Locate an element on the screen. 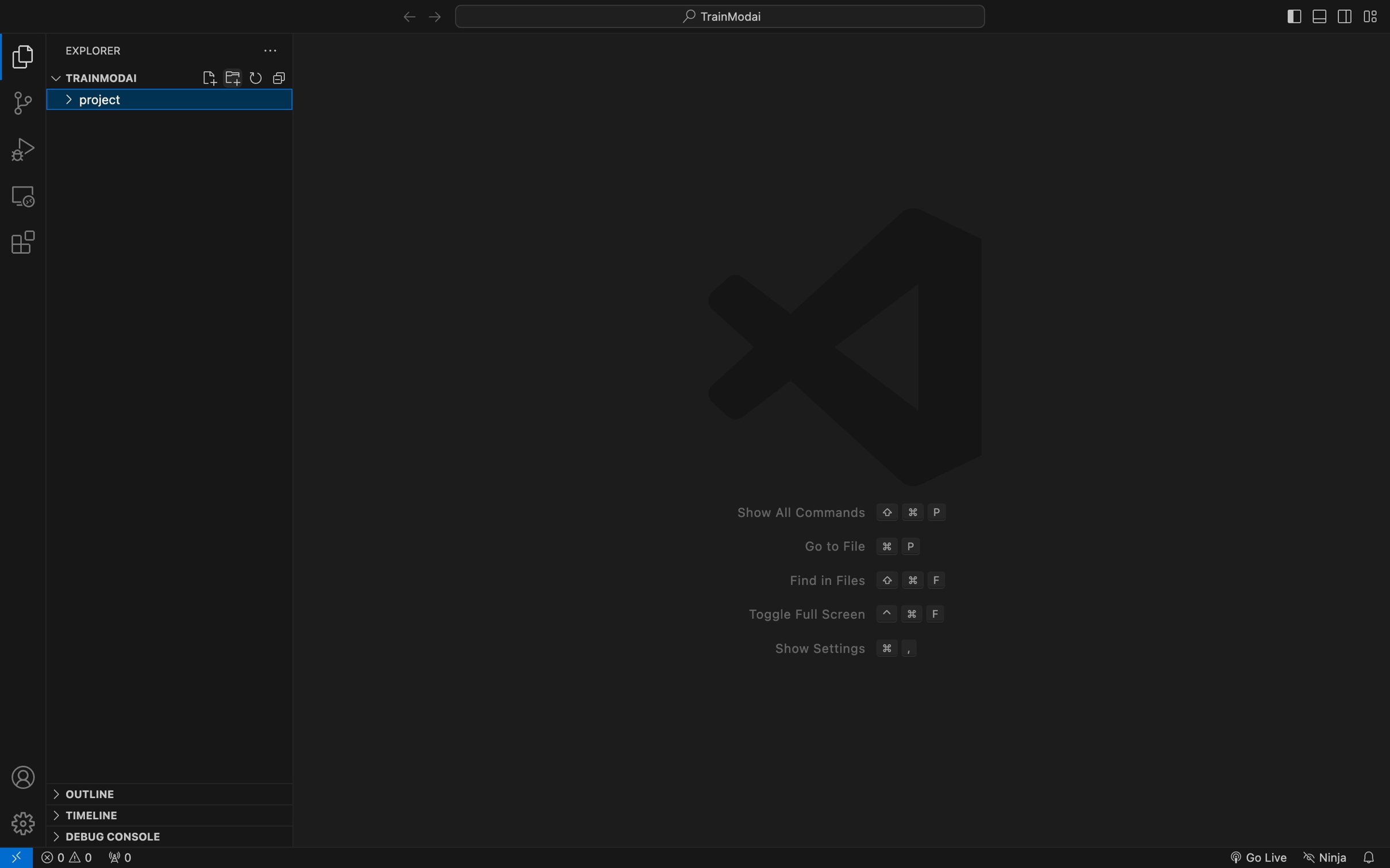 The image size is (1390, 868). toggle secondary bar is located at coordinates (1345, 18).